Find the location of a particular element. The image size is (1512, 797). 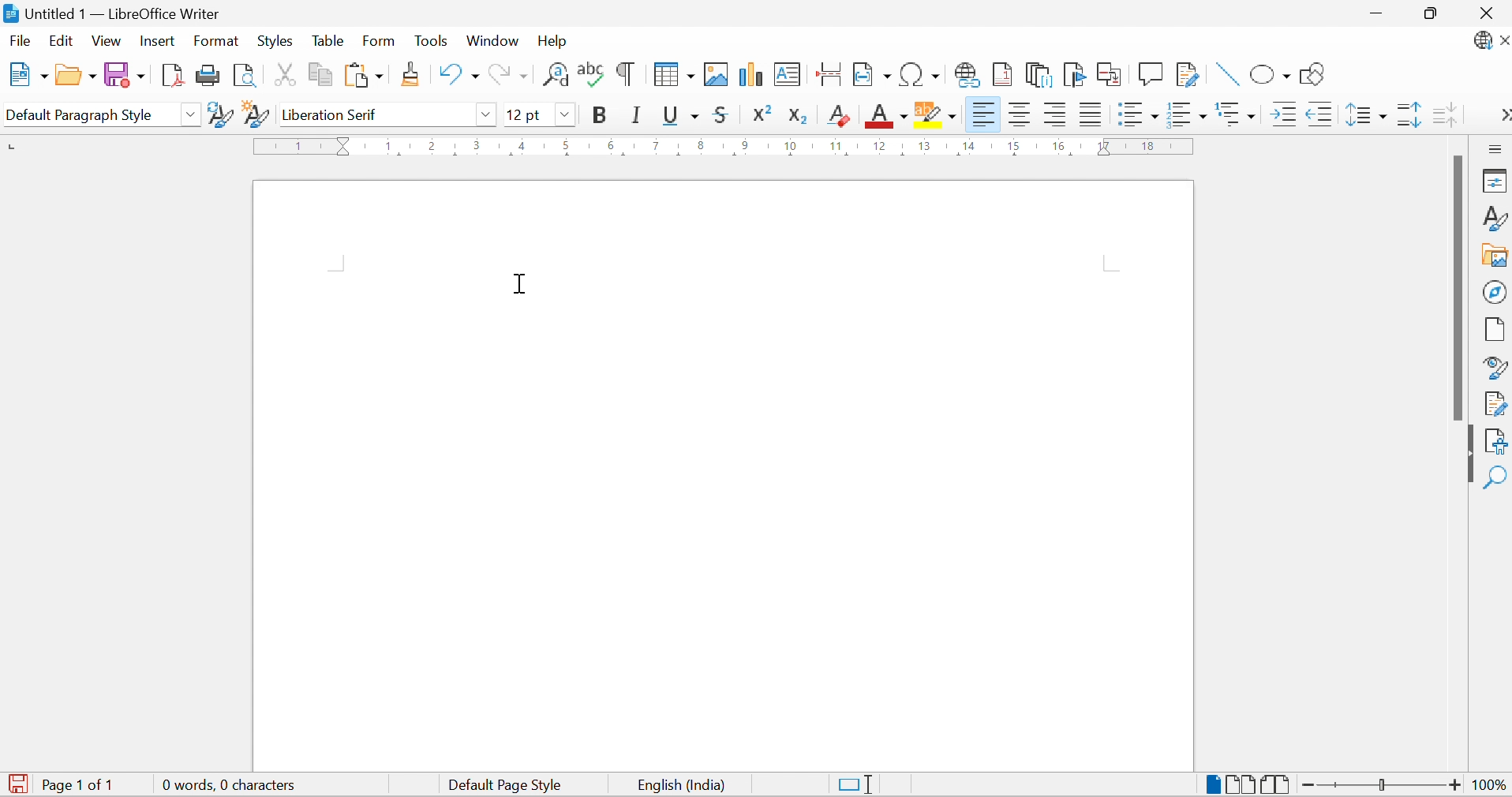

Find and Replace is located at coordinates (556, 75).